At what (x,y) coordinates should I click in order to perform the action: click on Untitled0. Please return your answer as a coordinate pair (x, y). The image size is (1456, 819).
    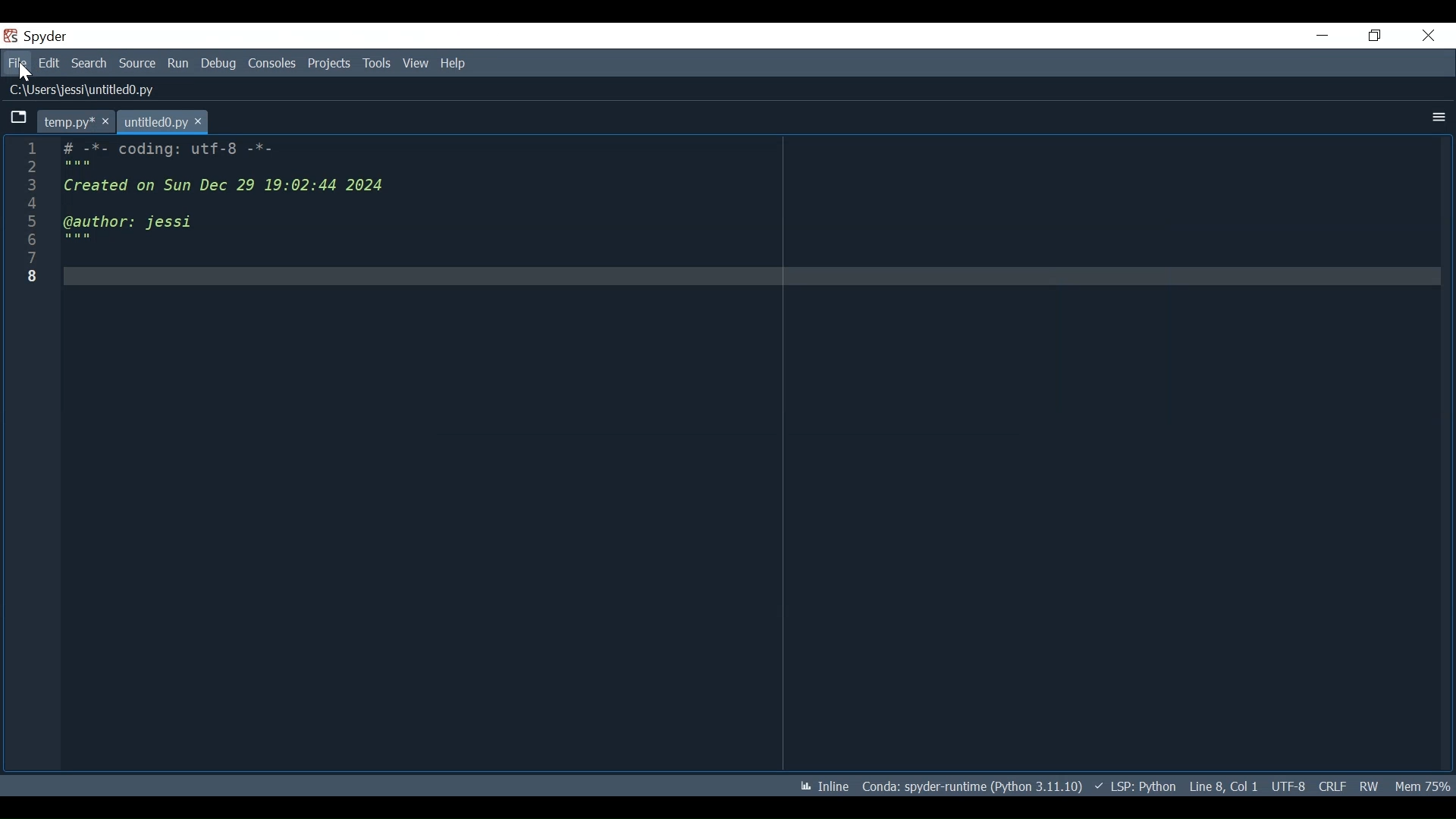
    Looking at the image, I should click on (163, 121).